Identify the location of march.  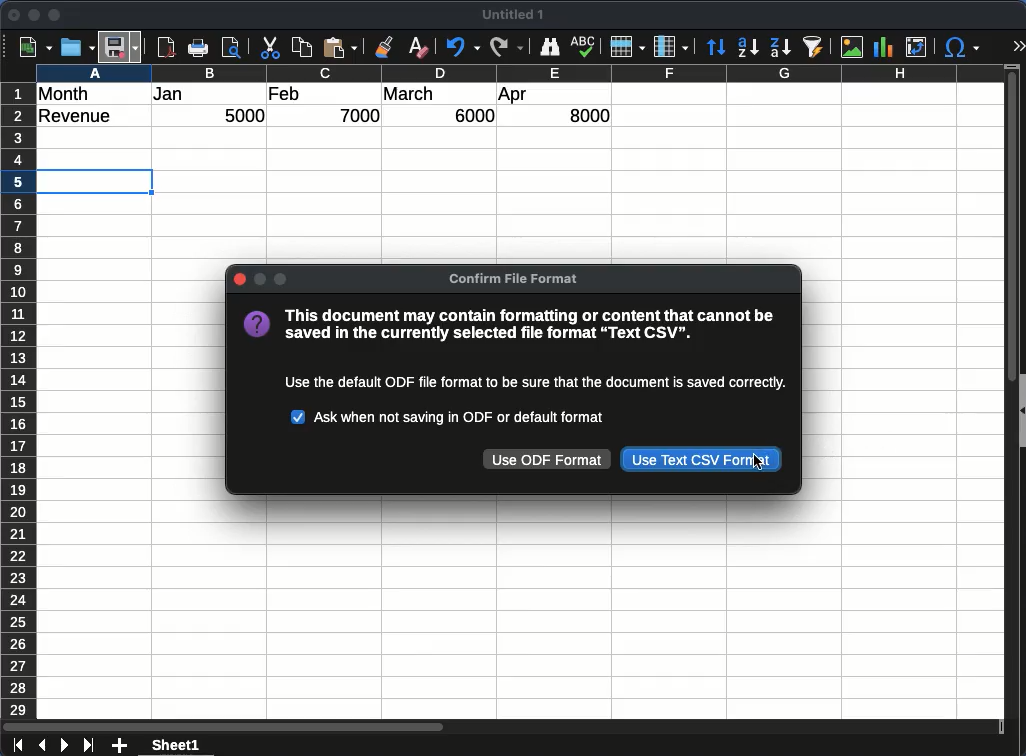
(409, 94).